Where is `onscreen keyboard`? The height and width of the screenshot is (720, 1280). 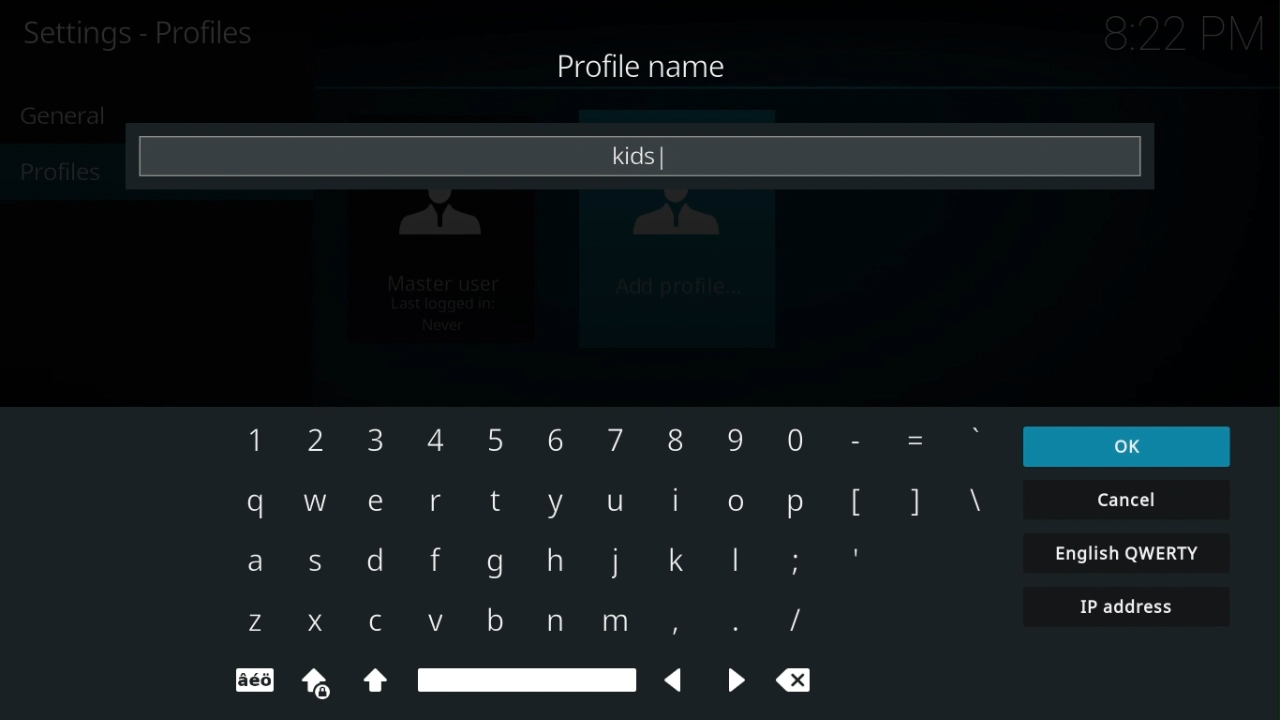
onscreen keyboard is located at coordinates (598, 521).